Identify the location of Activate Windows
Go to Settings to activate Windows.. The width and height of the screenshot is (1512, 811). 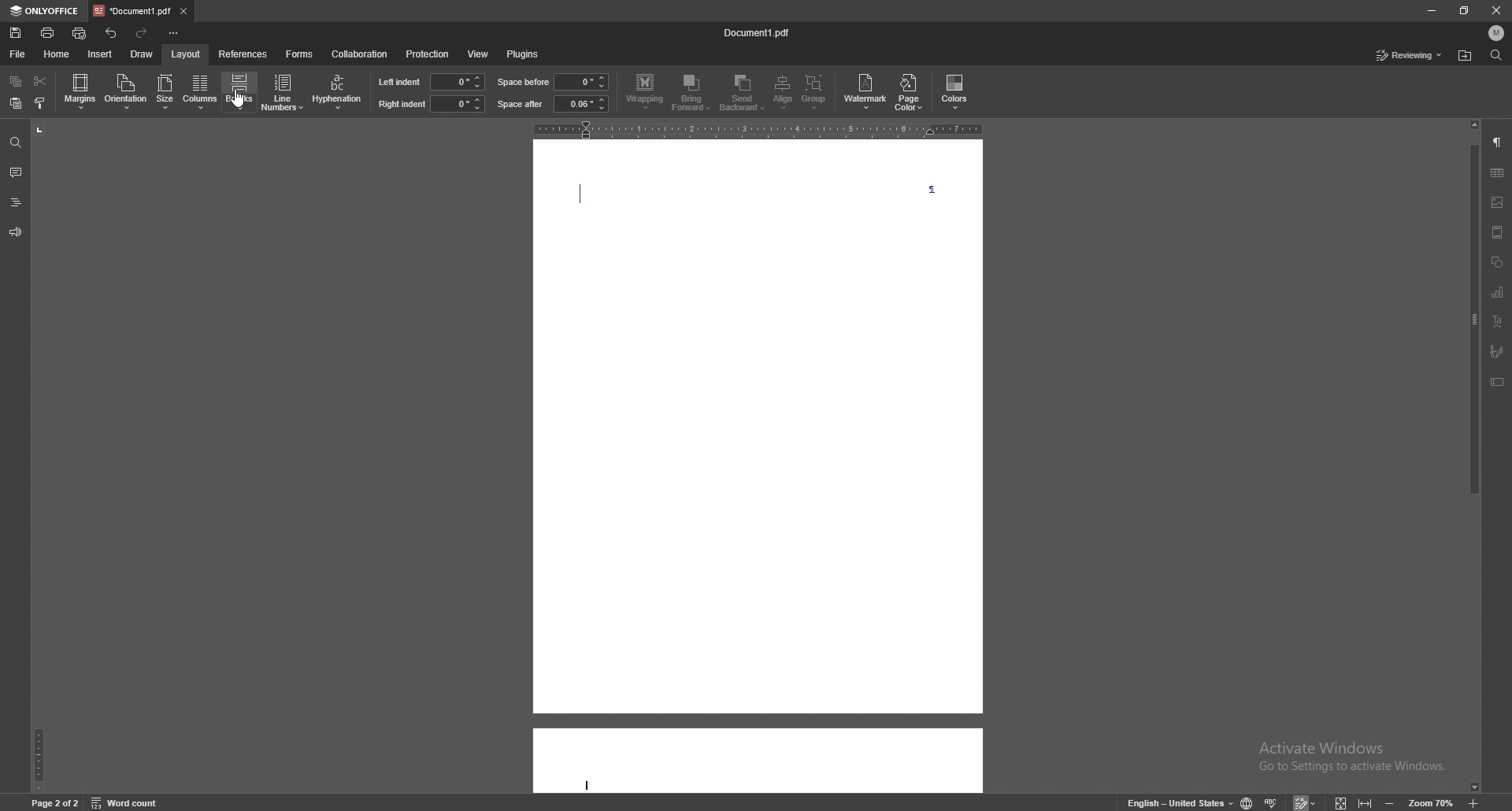
(1355, 763).